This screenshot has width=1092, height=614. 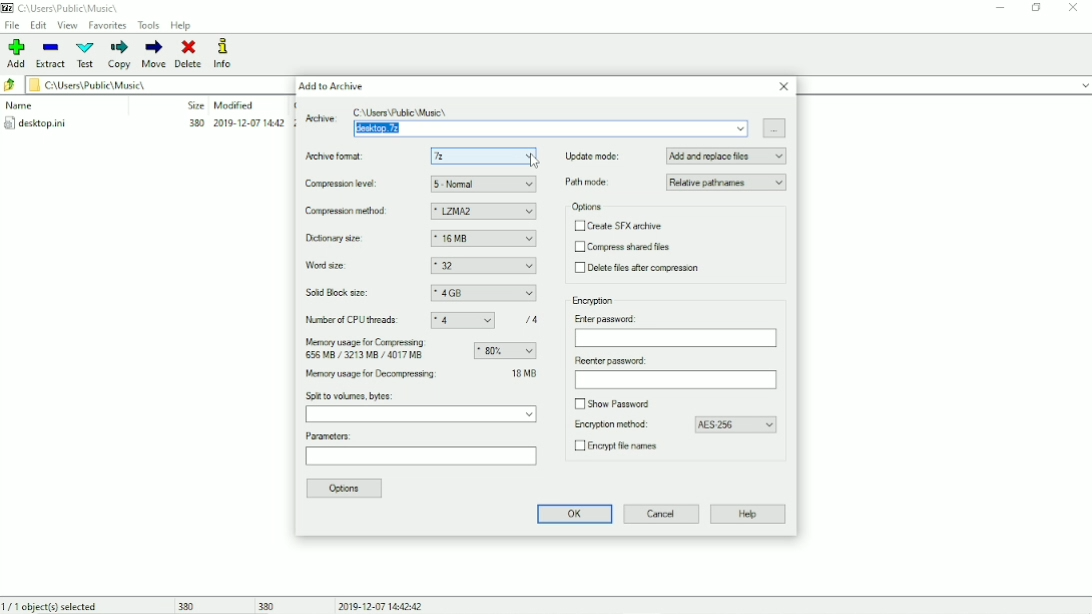 I want to click on Add, so click(x=17, y=53).